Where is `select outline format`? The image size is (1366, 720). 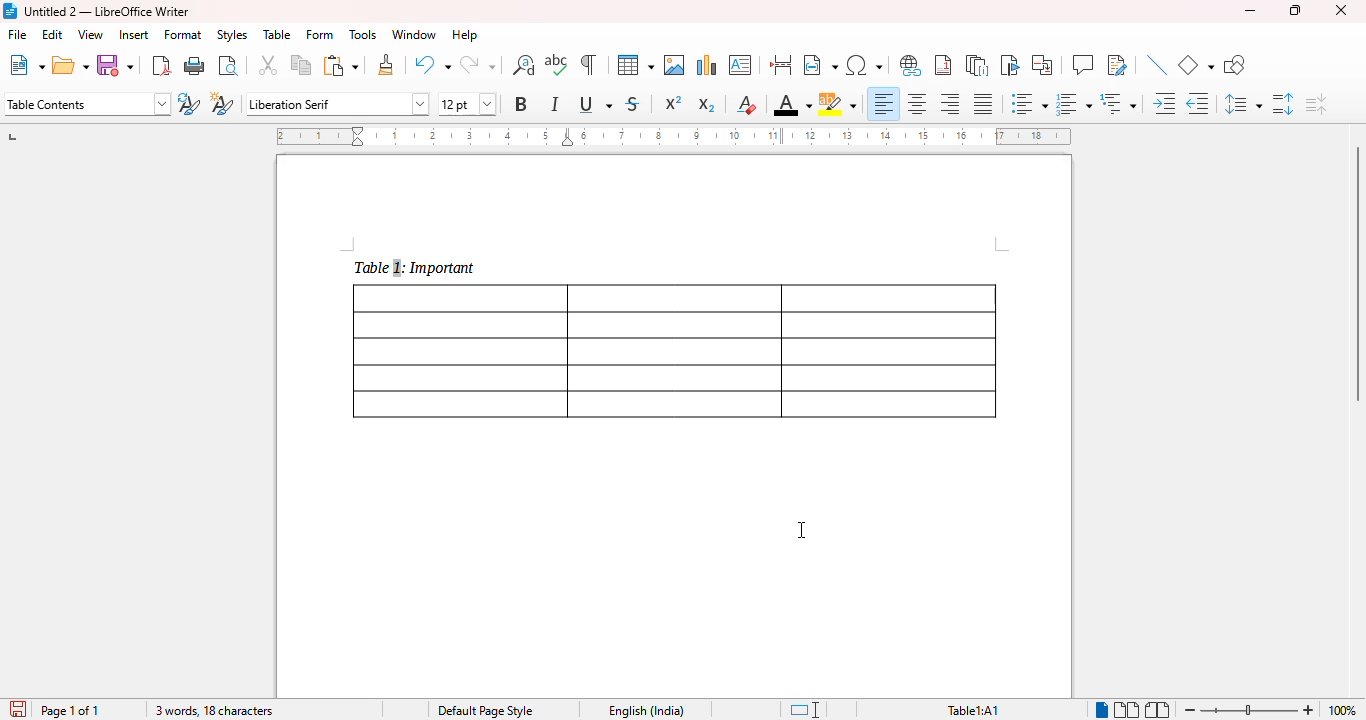
select outline format is located at coordinates (1118, 103).